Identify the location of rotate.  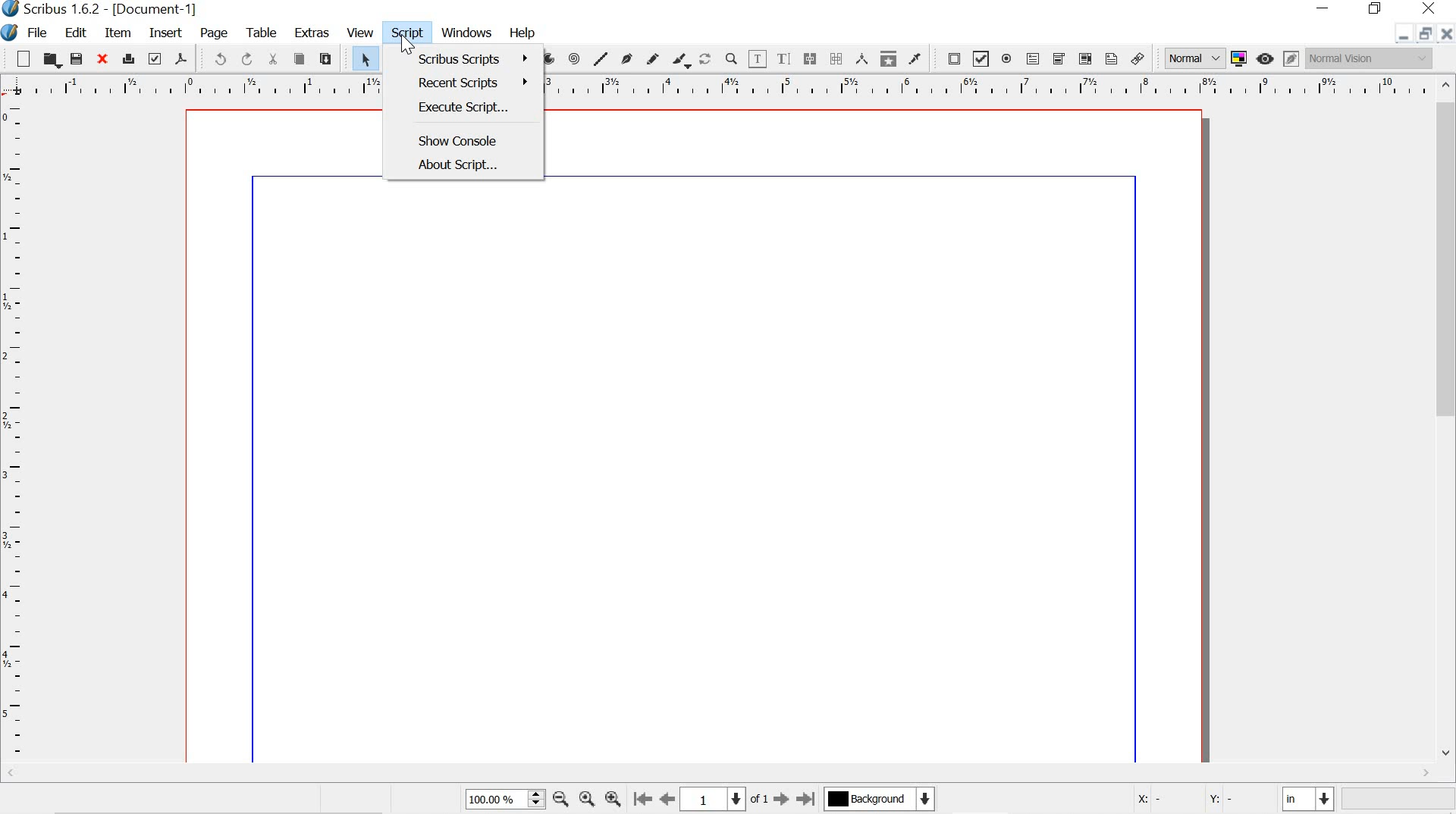
(706, 60).